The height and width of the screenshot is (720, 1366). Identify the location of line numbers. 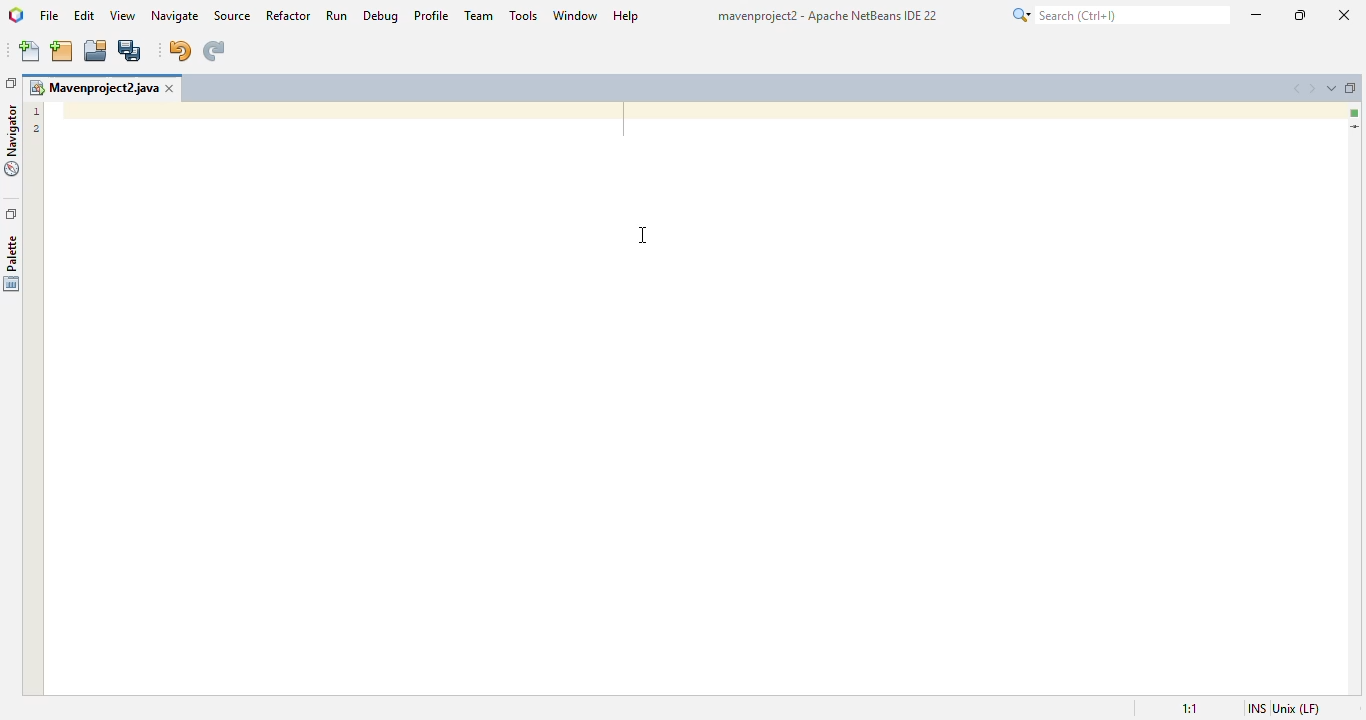
(36, 121).